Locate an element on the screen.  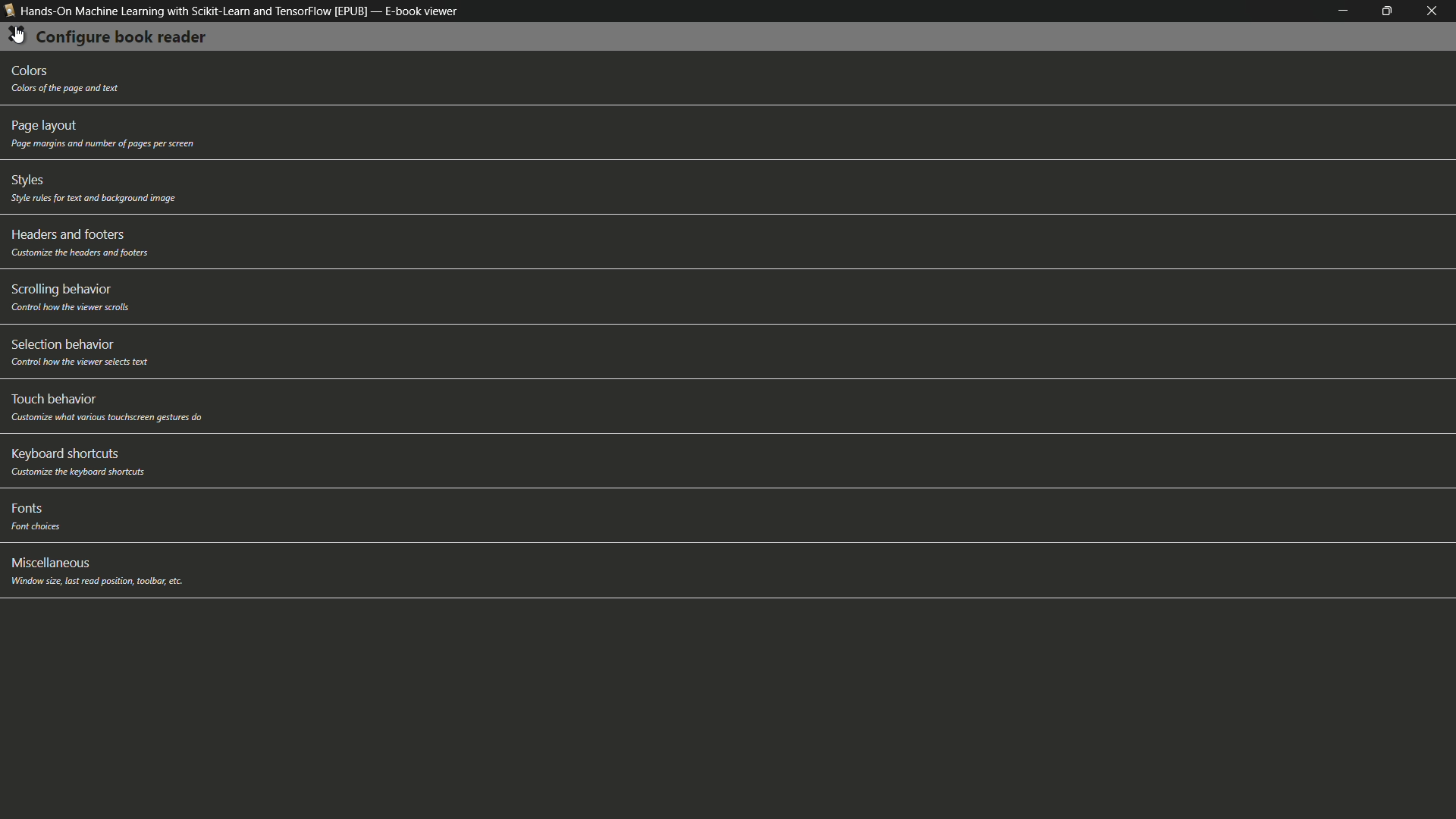
scrolling behavior is located at coordinates (58, 290).